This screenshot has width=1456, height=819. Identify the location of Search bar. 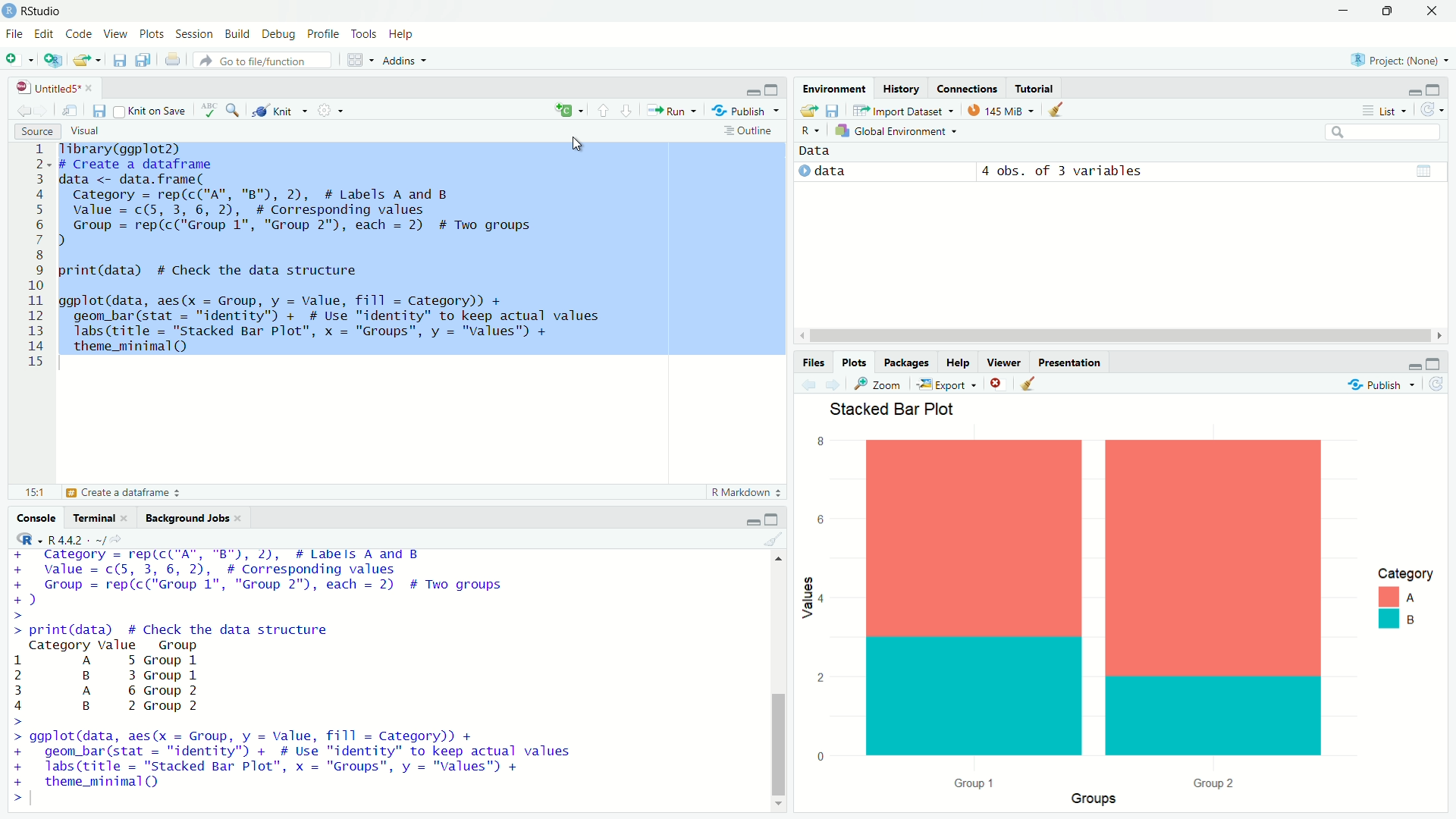
(1372, 132).